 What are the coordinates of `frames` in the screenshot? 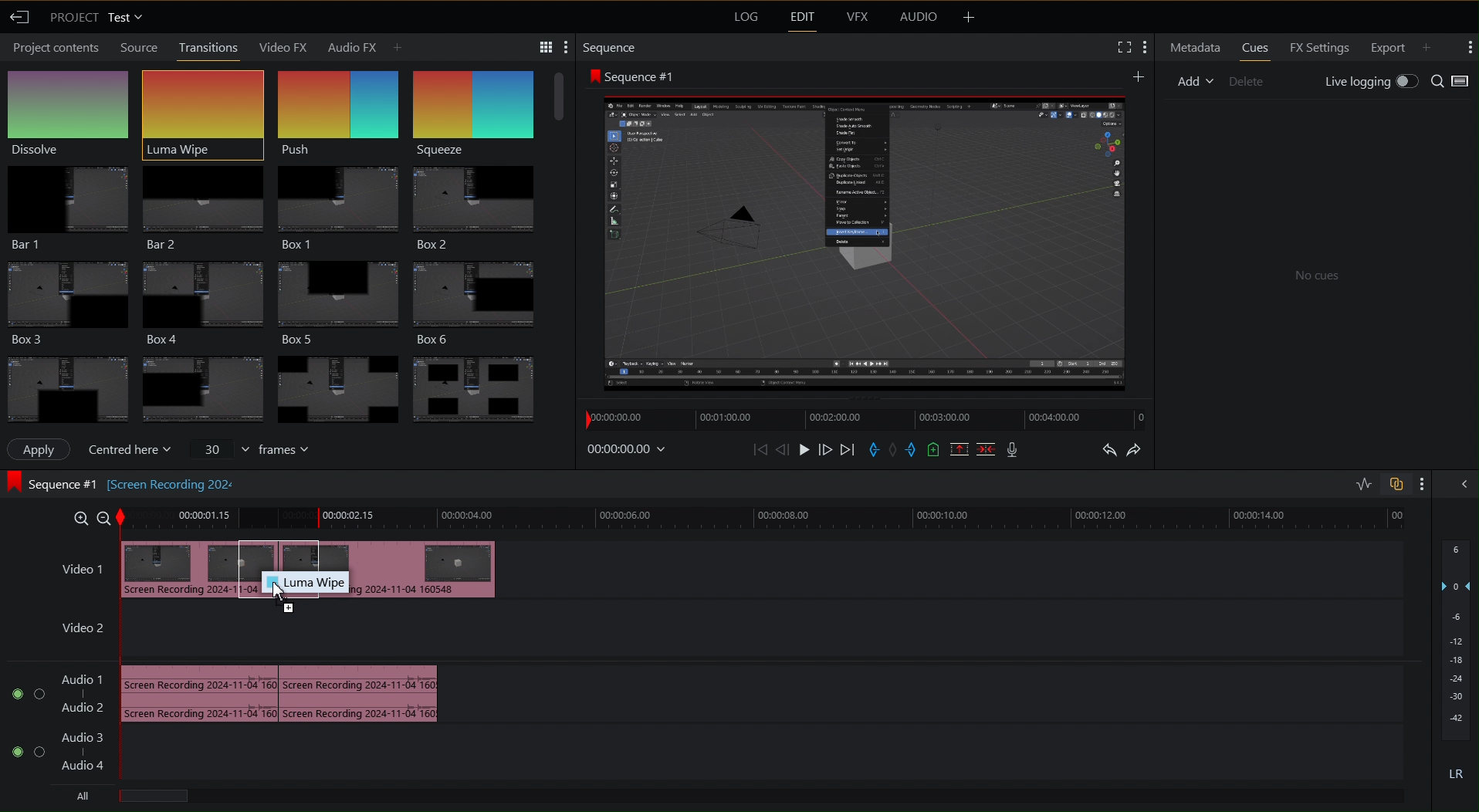 It's located at (250, 450).